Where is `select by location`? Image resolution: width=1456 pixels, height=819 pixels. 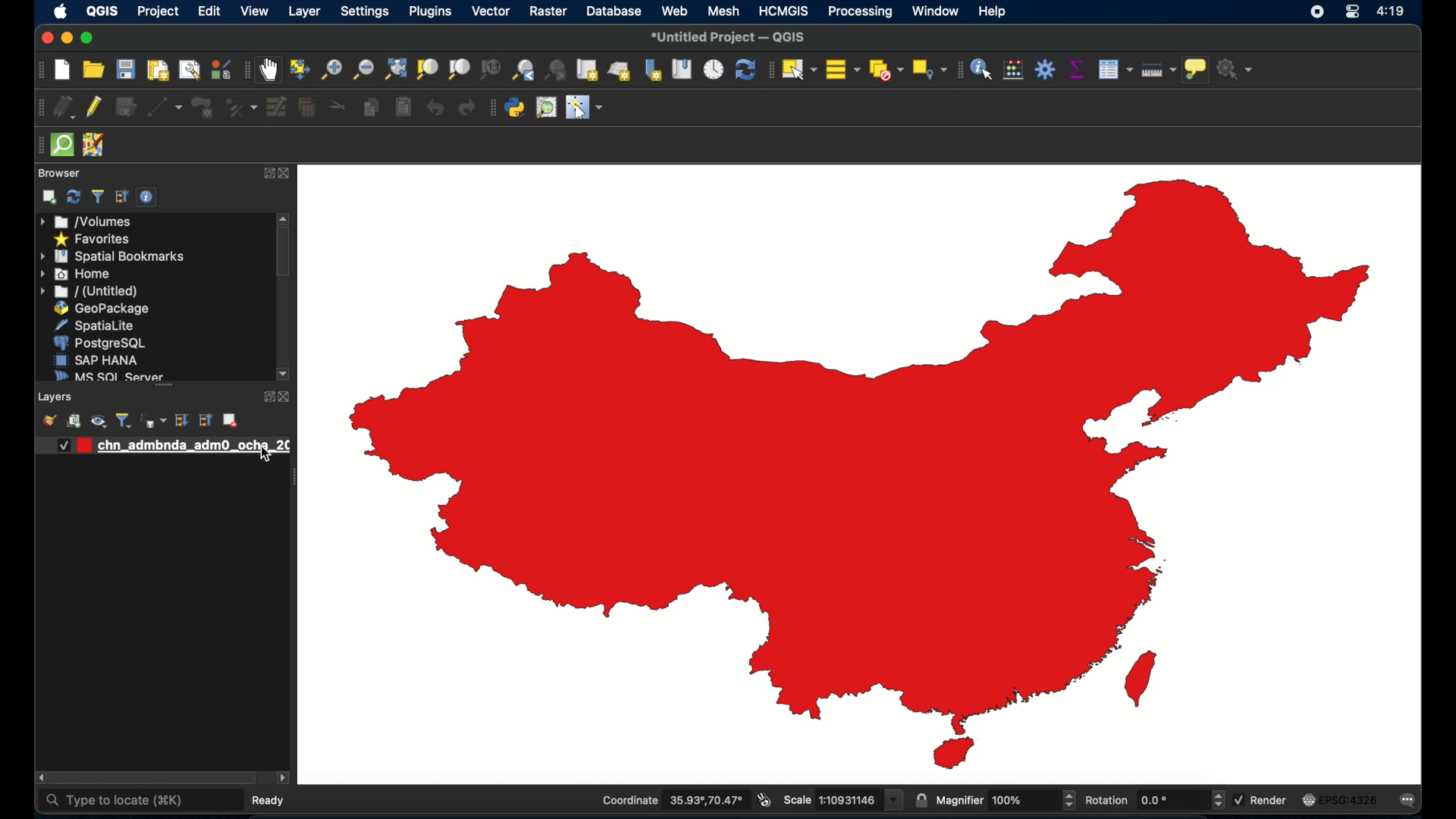 select by location is located at coordinates (927, 69).